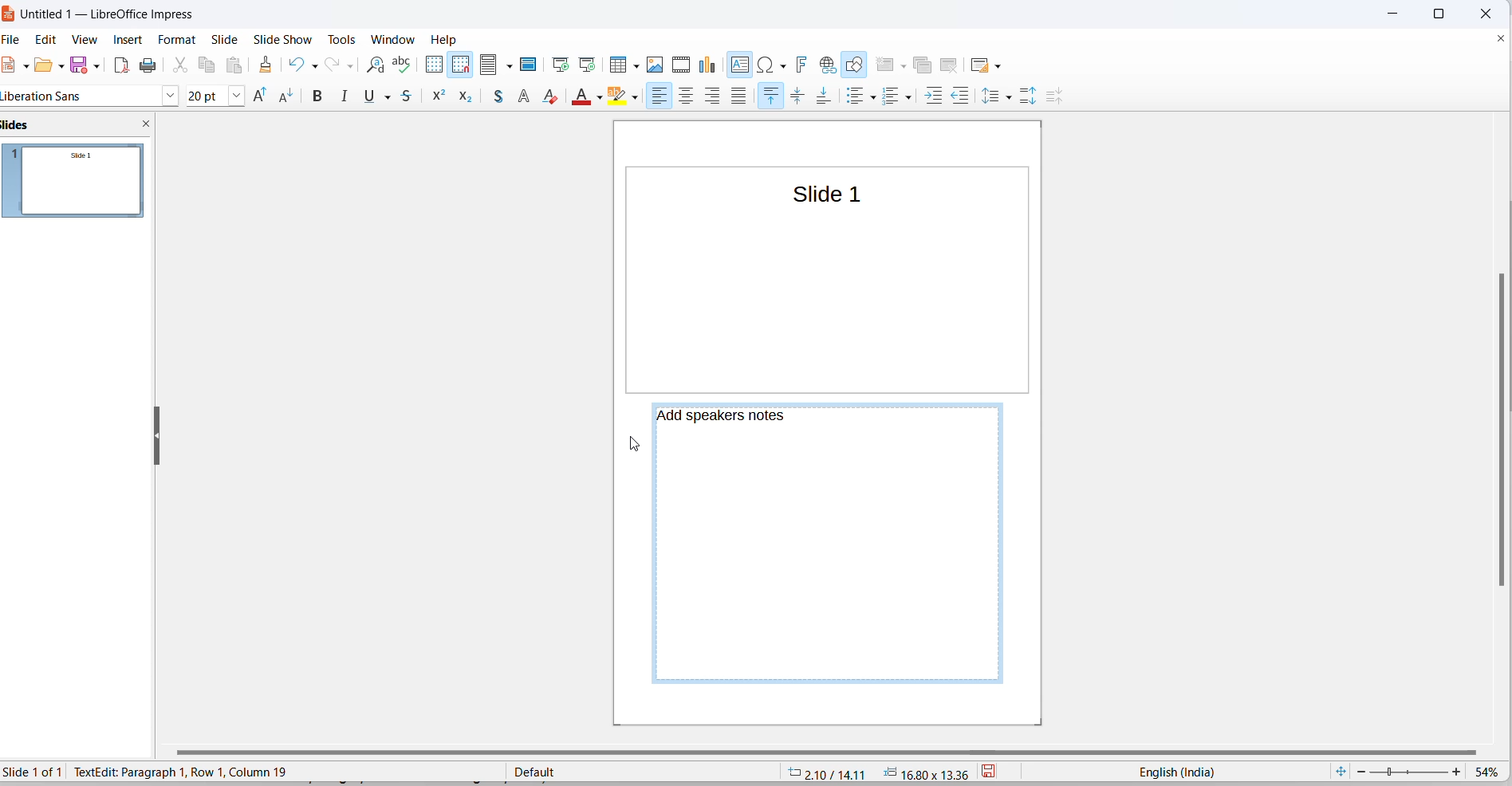  What do you see at coordinates (395, 99) in the screenshot?
I see `symbol shapes options` at bounding box center [395, 99].